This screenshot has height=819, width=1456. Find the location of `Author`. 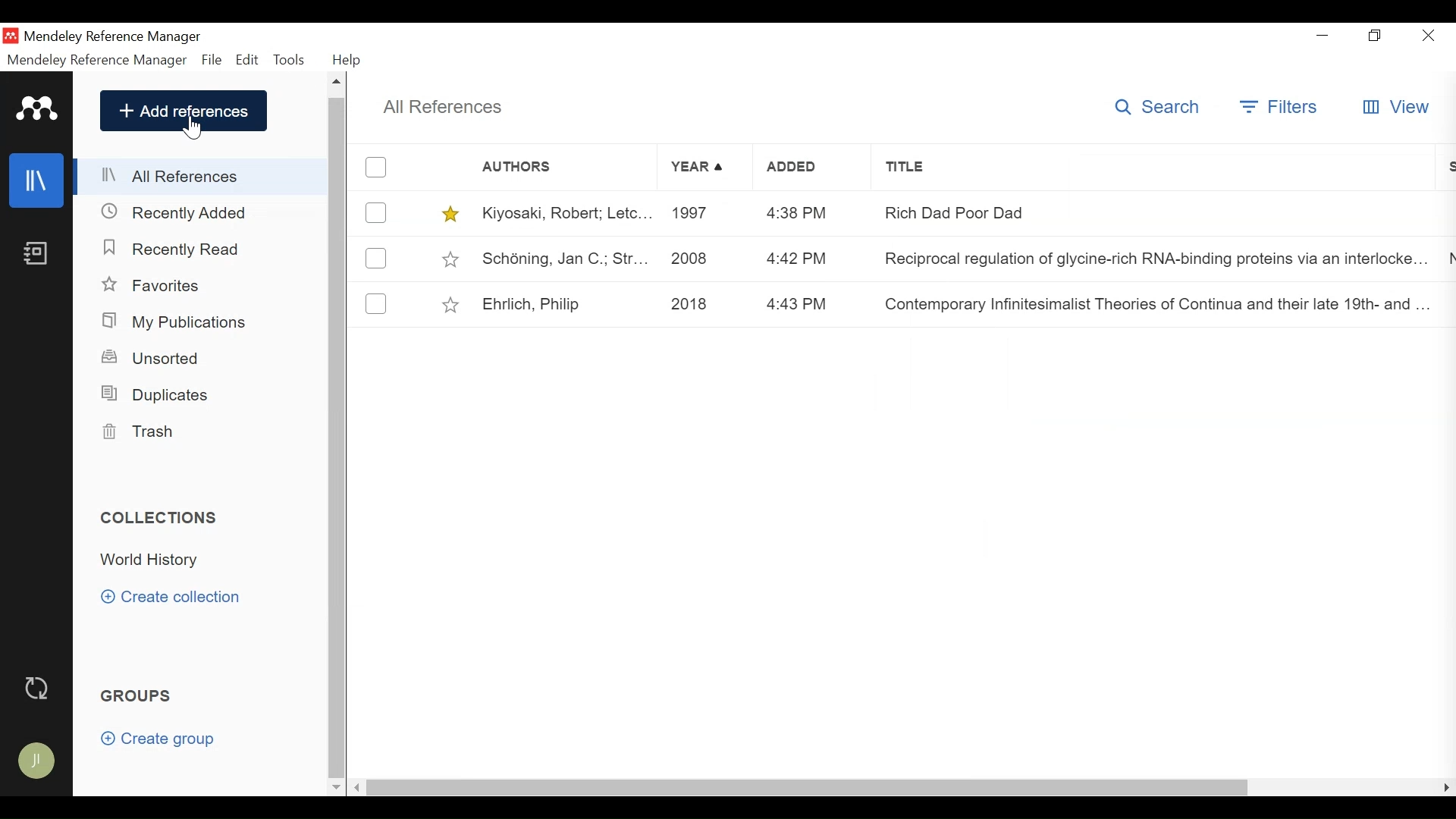

Author is located at coordinates (544, 166).